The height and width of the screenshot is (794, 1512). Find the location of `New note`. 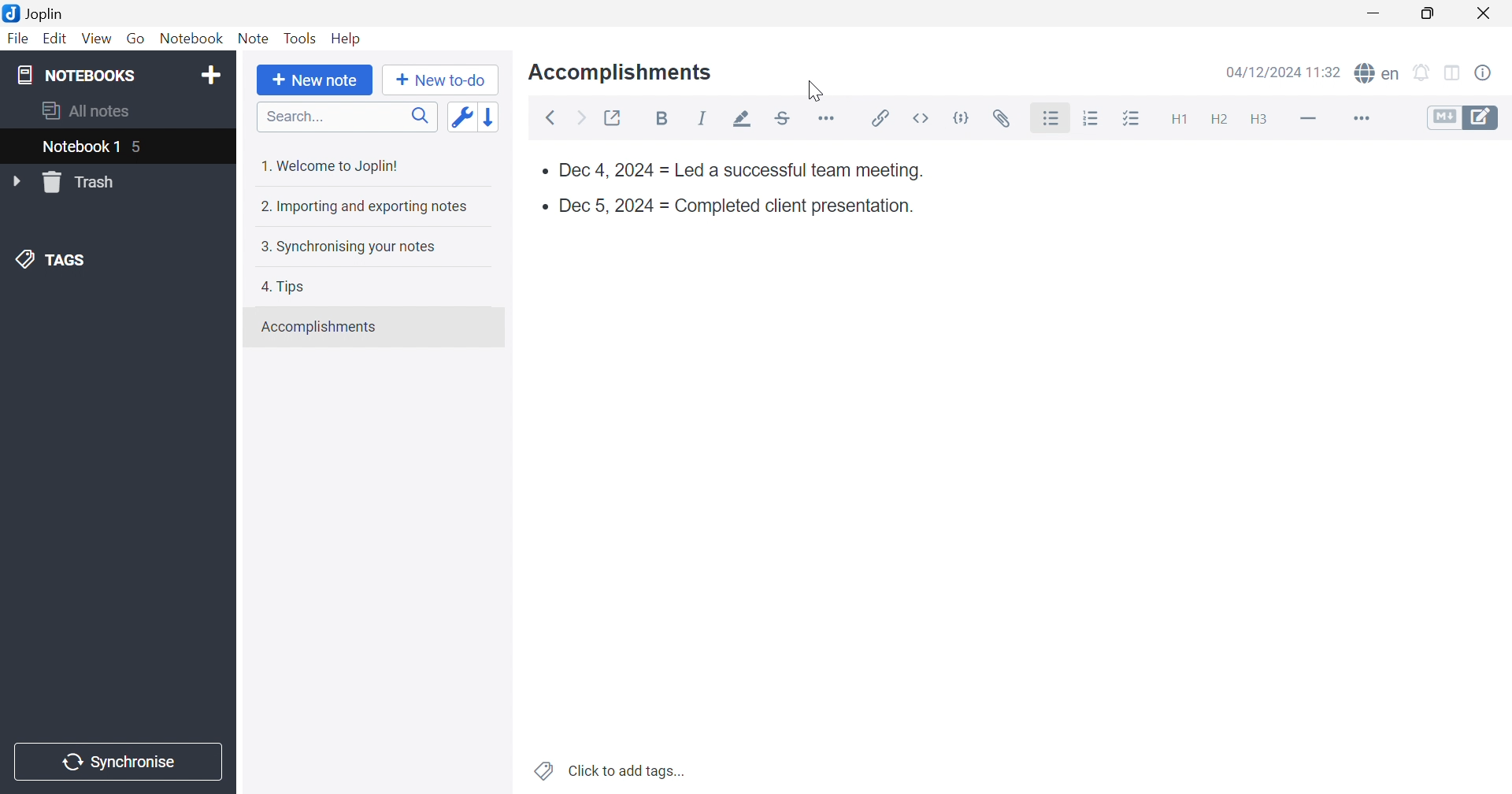

New note is located at coordinates (316, 80).